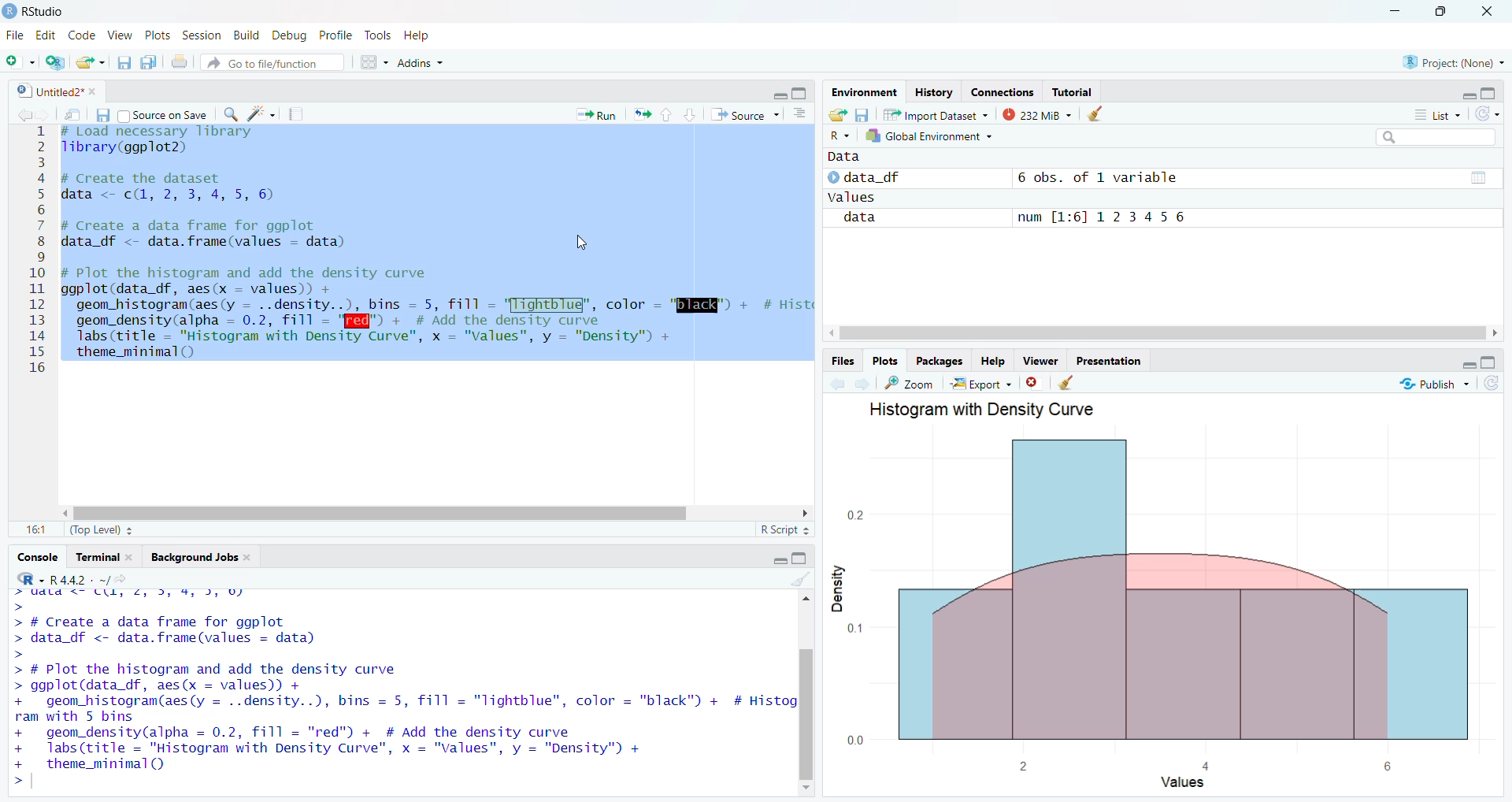 This screenshot has width=1512, height=802. Describe the element at coordinates (377, 61) in the screenshot. I see `workspace panes` at that location.